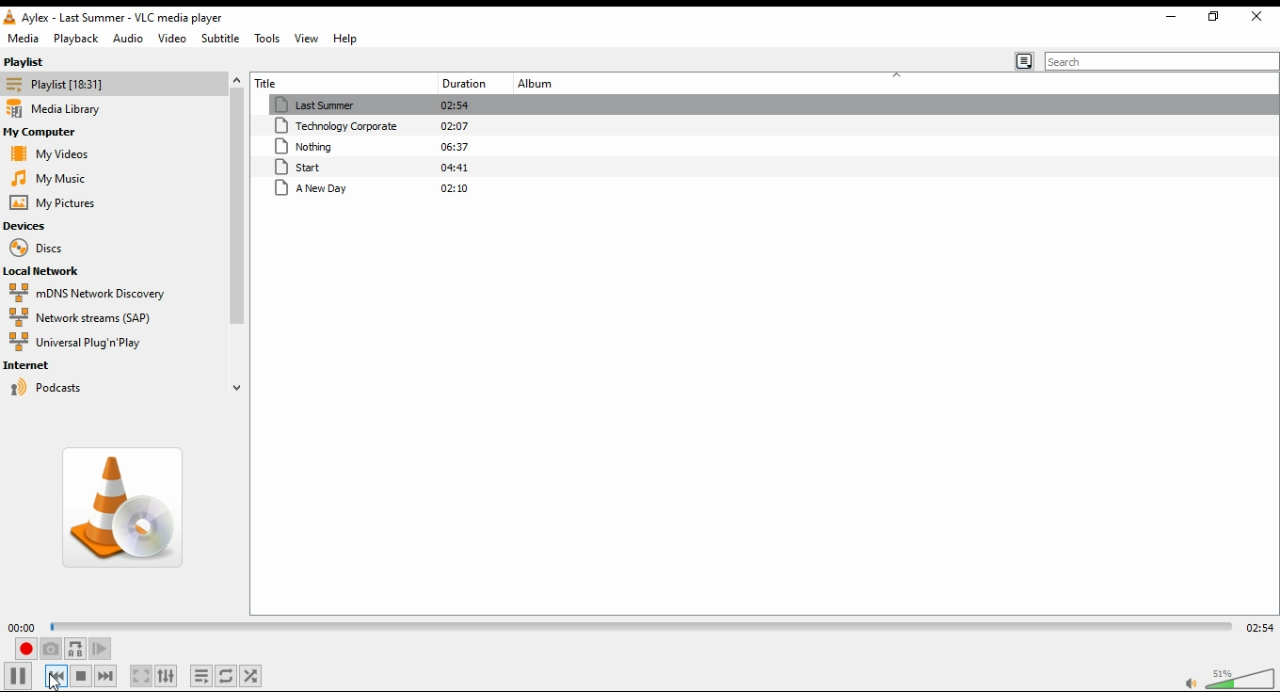 This screenshot has width=1280, height=692. I want to click on internet, so click(47, 366).